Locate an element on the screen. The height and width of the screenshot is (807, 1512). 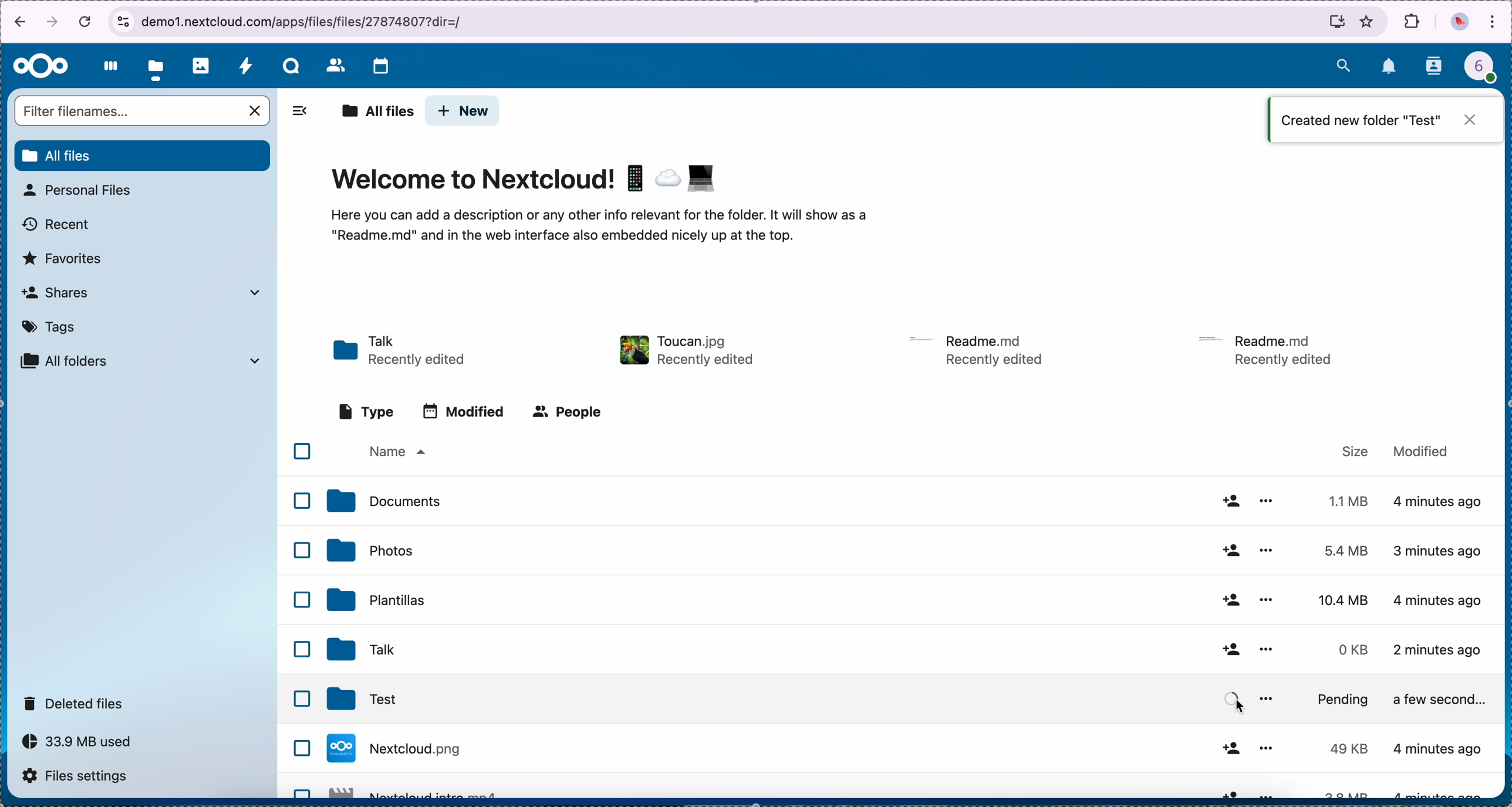
created new folder "Test" is located at coordinates (1384, 123).